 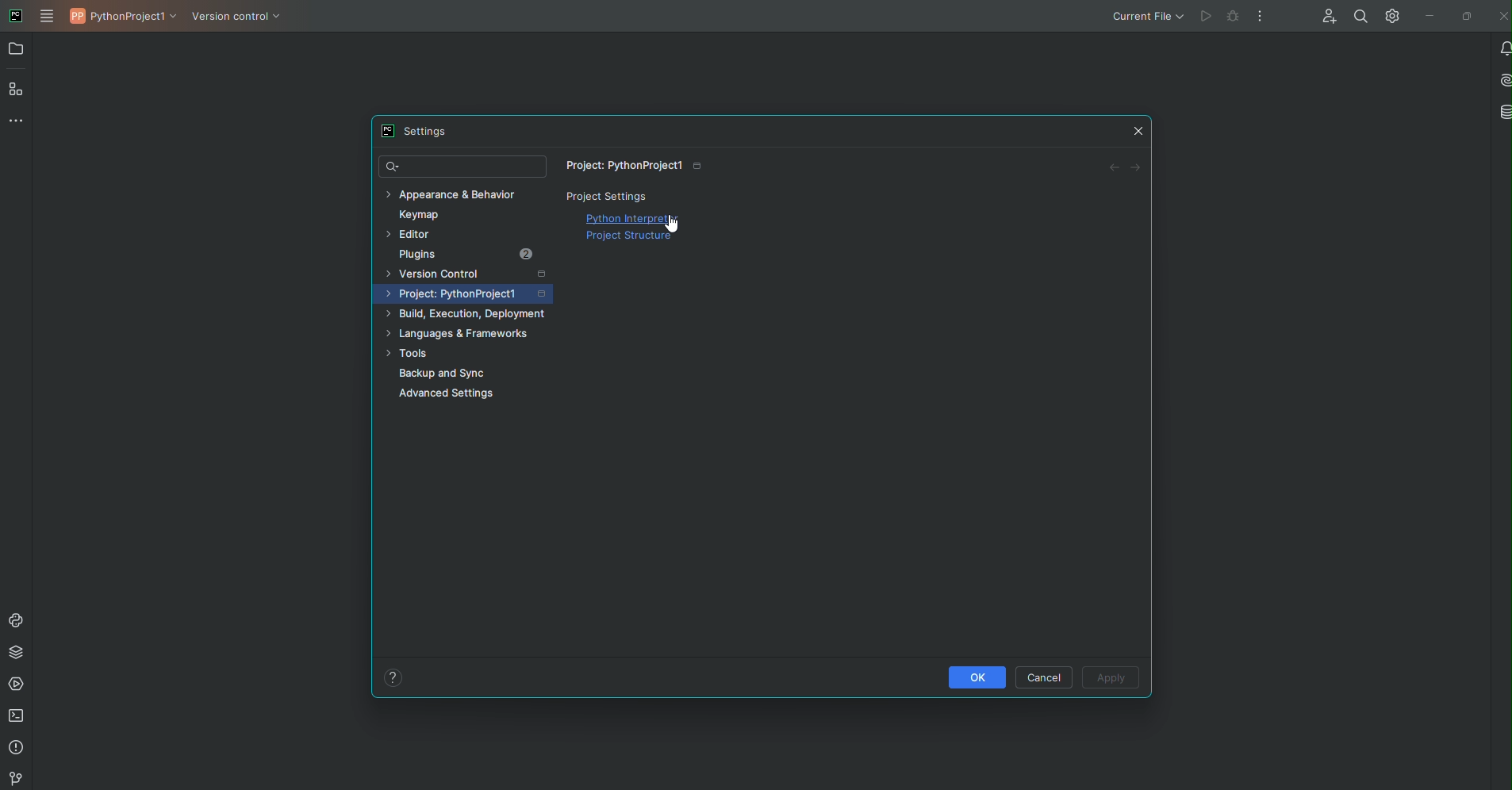 I want to click on Advanced Settings, so click(x=451, y=398).